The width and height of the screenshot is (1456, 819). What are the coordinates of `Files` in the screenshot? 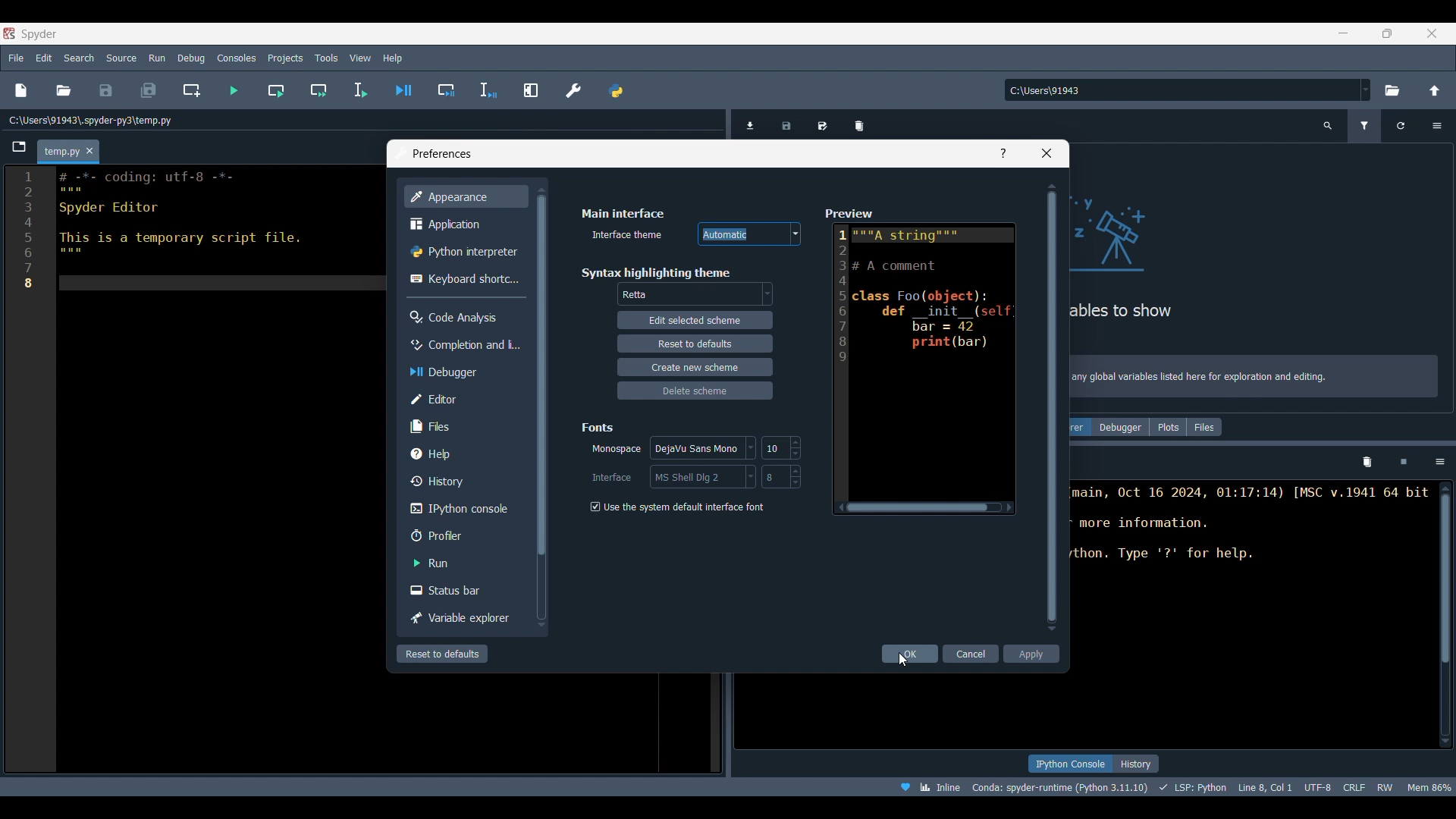 It's located at (465, 425).